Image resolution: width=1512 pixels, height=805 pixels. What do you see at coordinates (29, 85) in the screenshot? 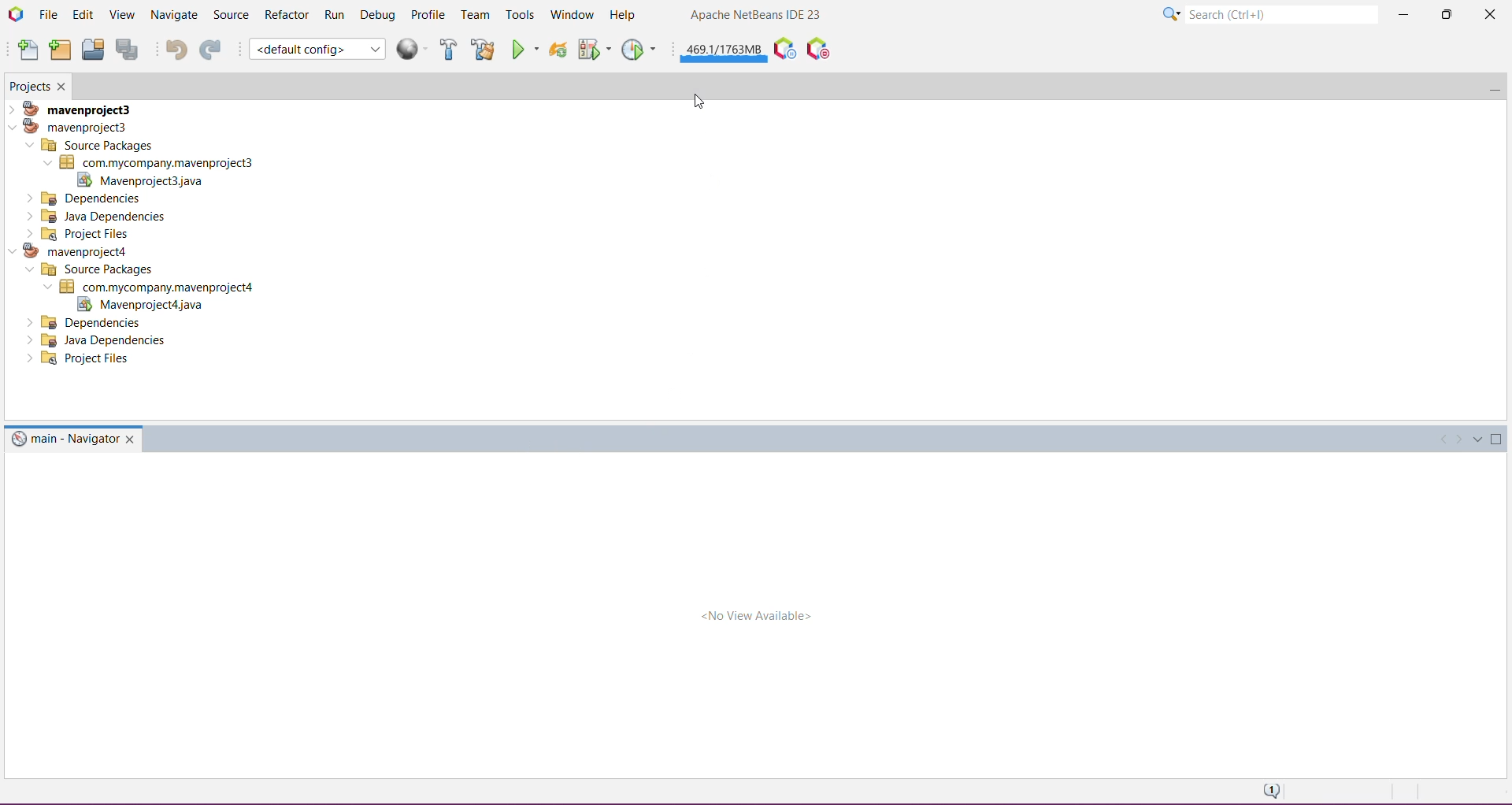
I see `Projects Window` at bounding box center [29, 85].